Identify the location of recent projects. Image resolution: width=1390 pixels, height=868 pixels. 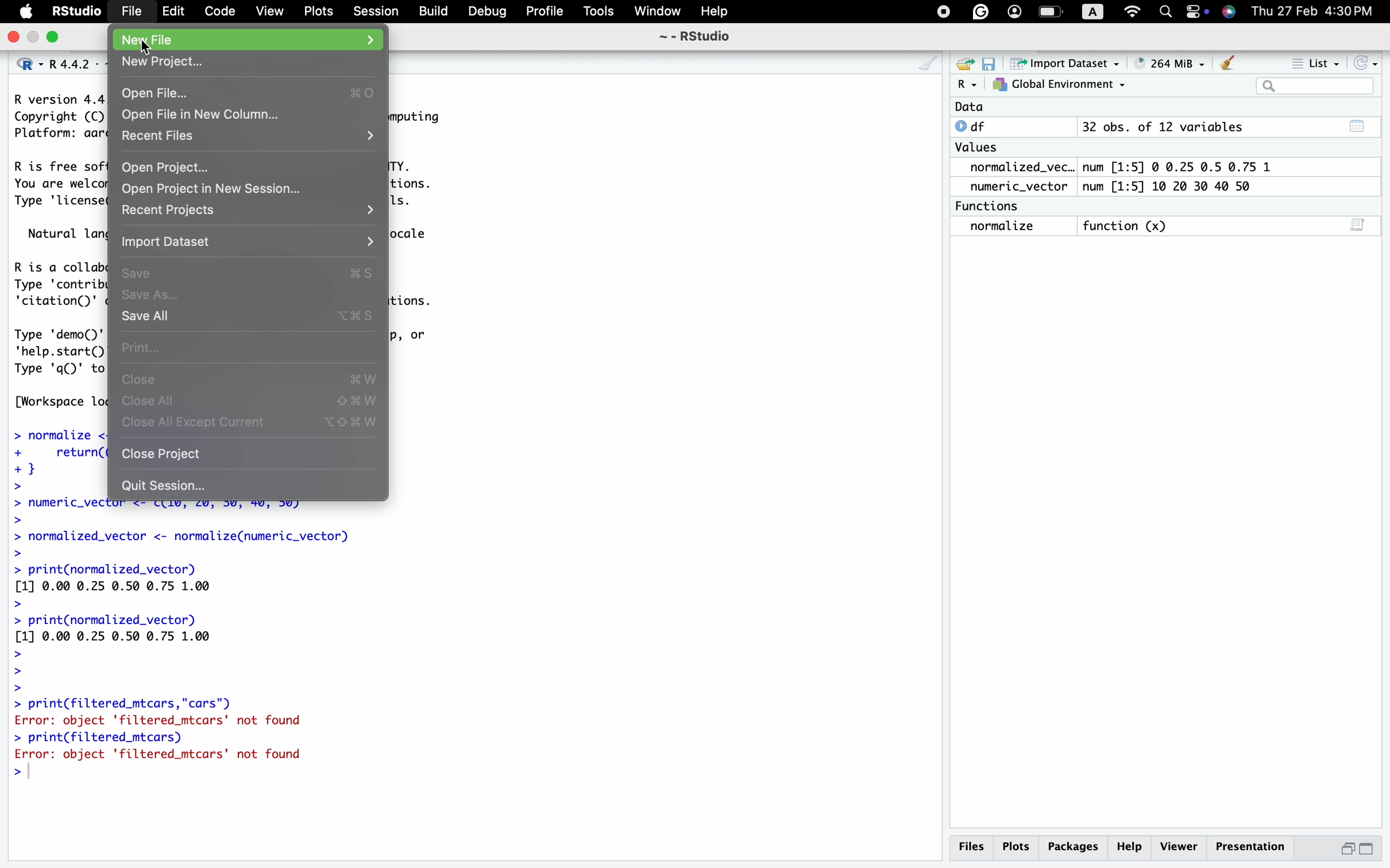
(249, 215).